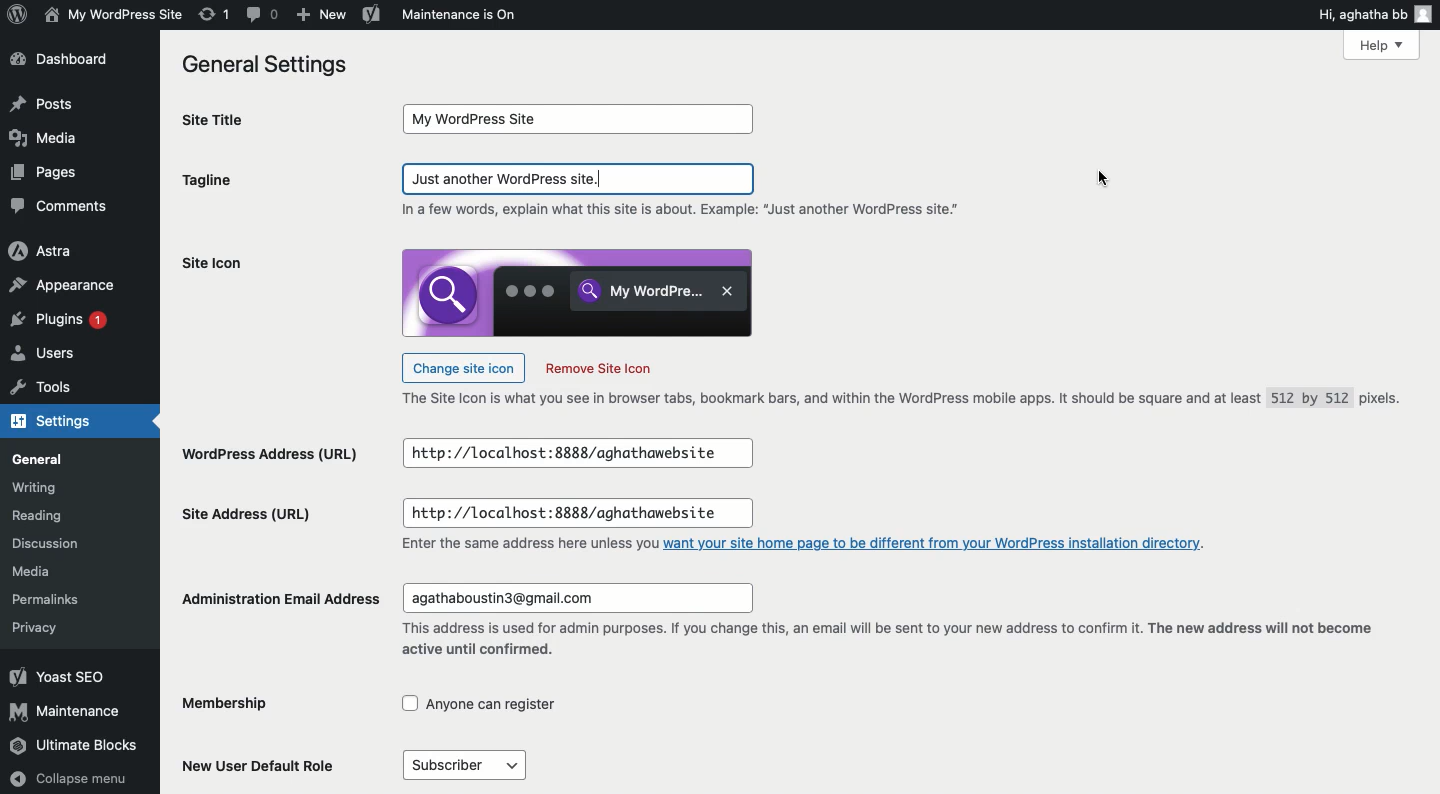 Image resolution: width=1440 pixels, height=794 pixels. I want to click on Change, so click(463, 366).